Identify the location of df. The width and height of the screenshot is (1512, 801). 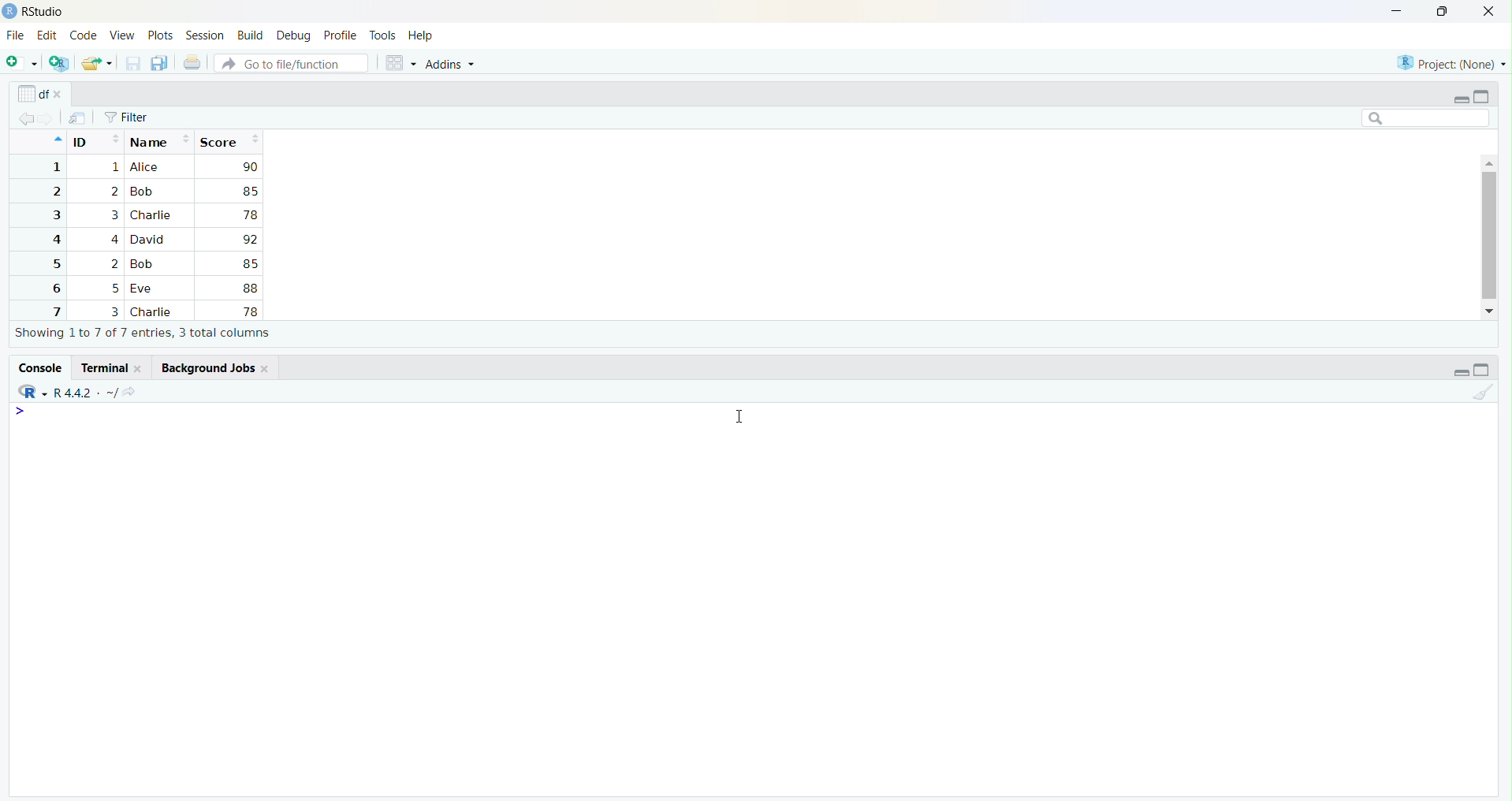
(32, 93).